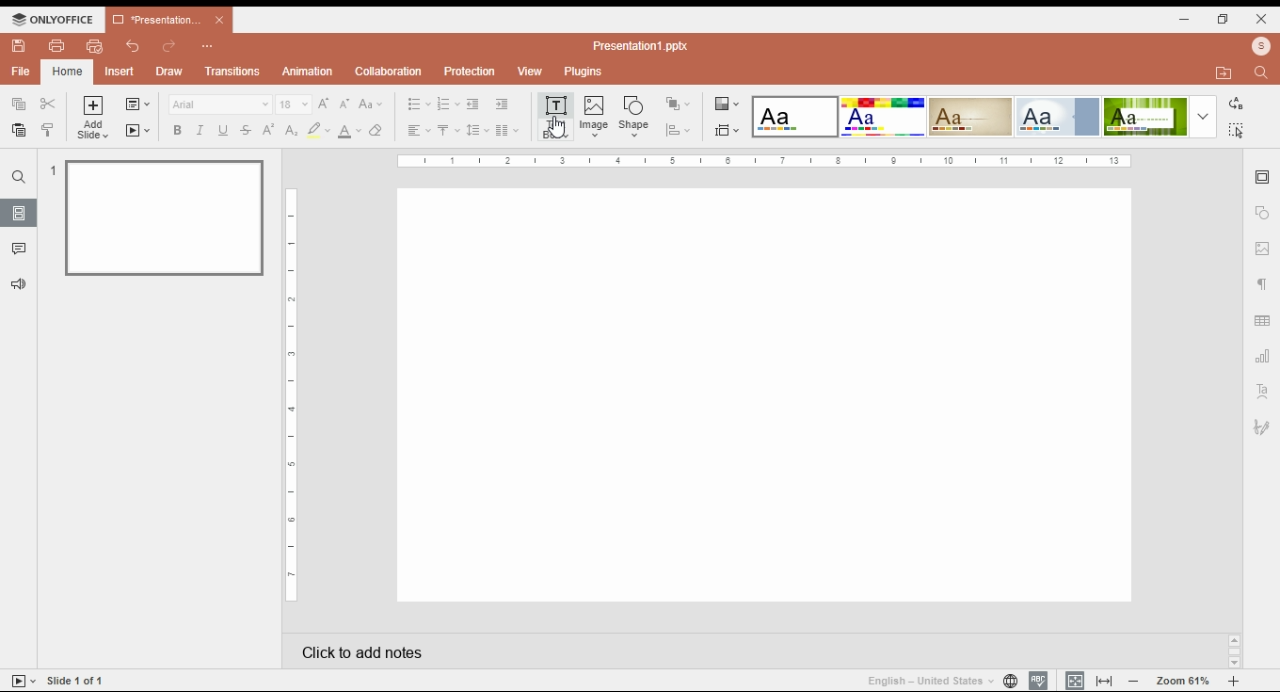 The width and height of the screenshot is (1280, 692). Describe the element at coordinates (47, 129) in the screenshot. I see `copy style` at that location.